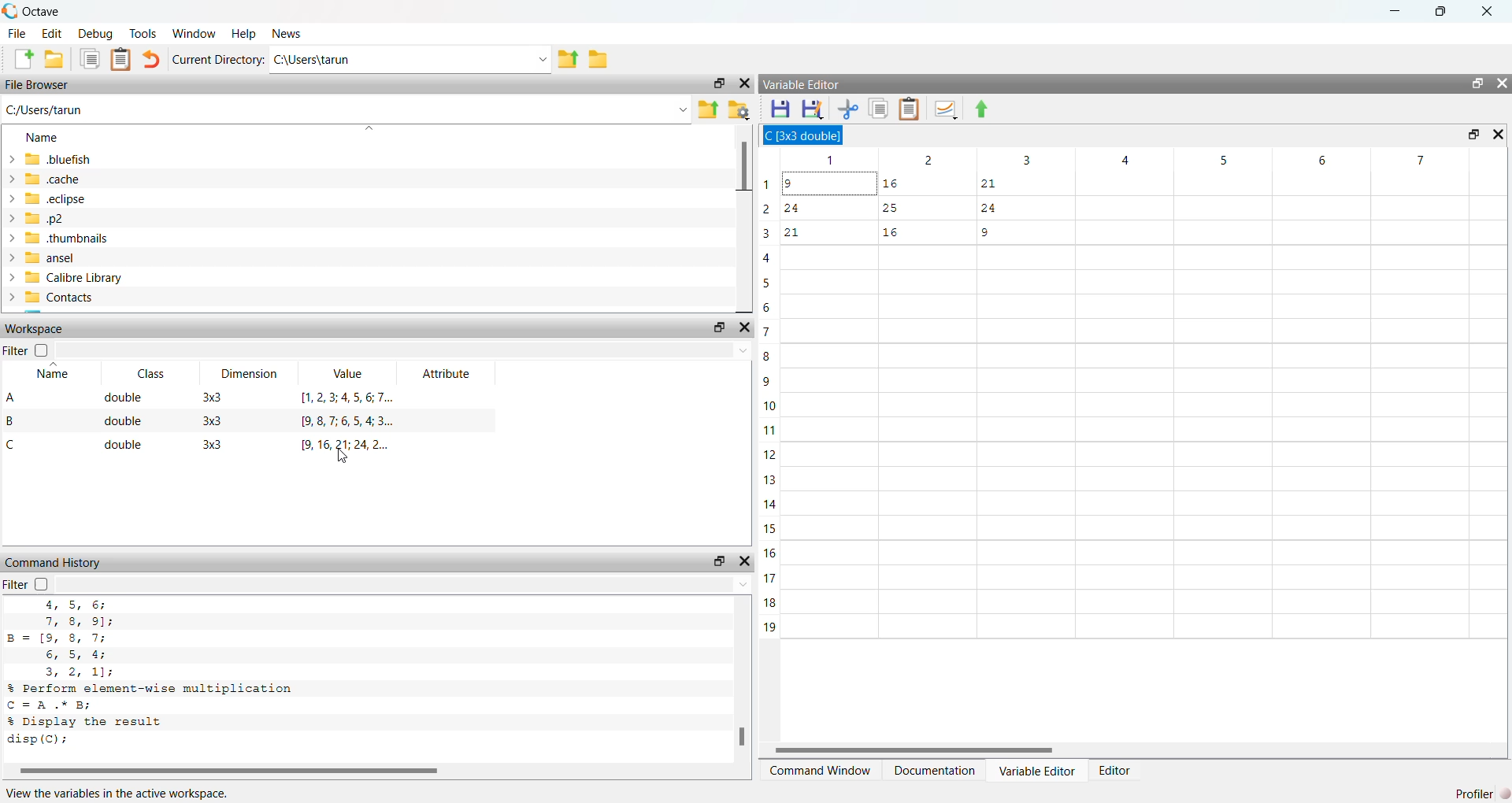 The image size is (1512, 803). I want to click on Scroll, so click(1126, 751).